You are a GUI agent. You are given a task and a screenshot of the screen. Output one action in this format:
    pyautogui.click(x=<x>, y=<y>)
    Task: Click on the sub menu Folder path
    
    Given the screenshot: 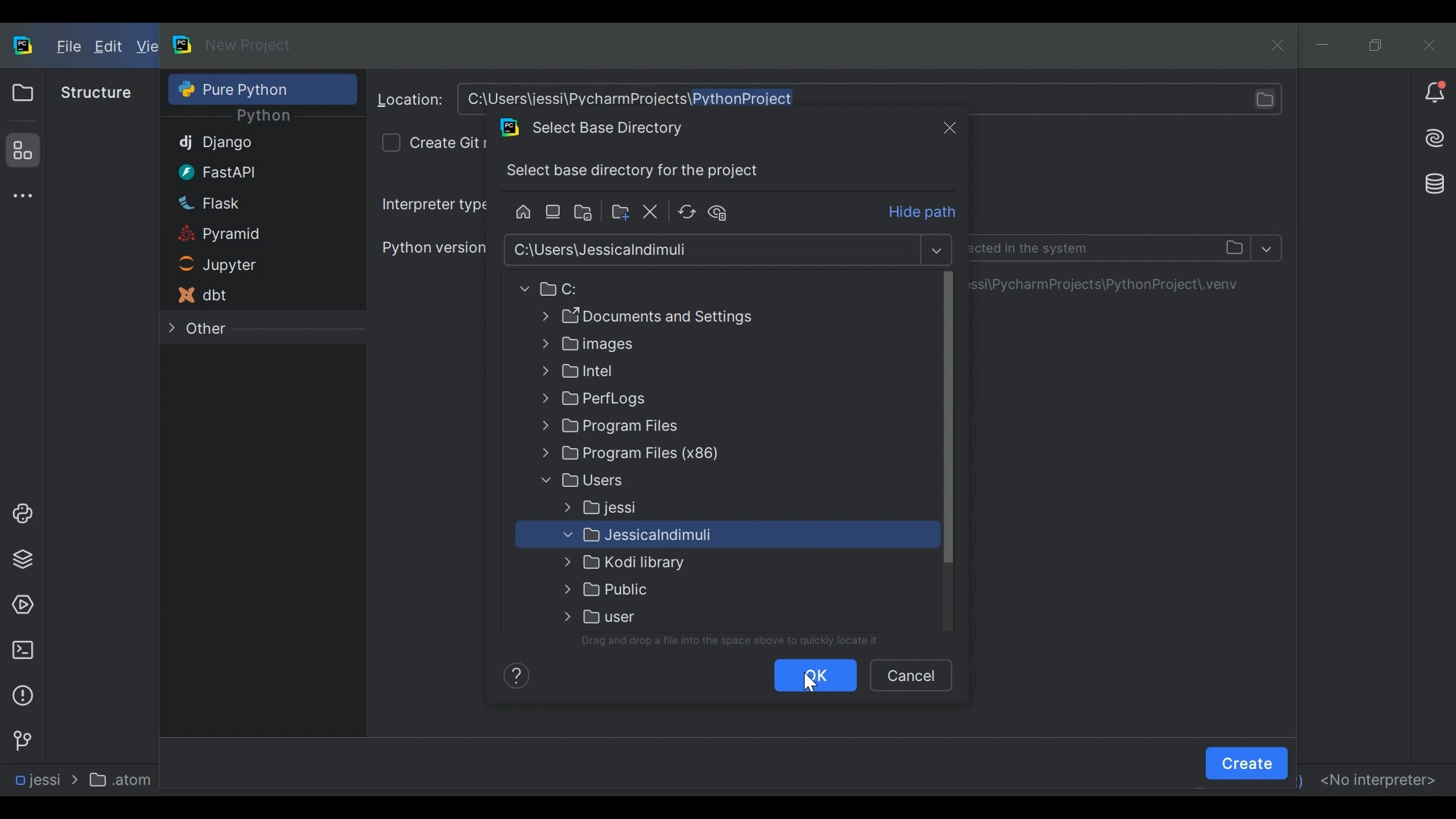 What is the action you would take?
    pyautogui.click(x=661, y=508)
    